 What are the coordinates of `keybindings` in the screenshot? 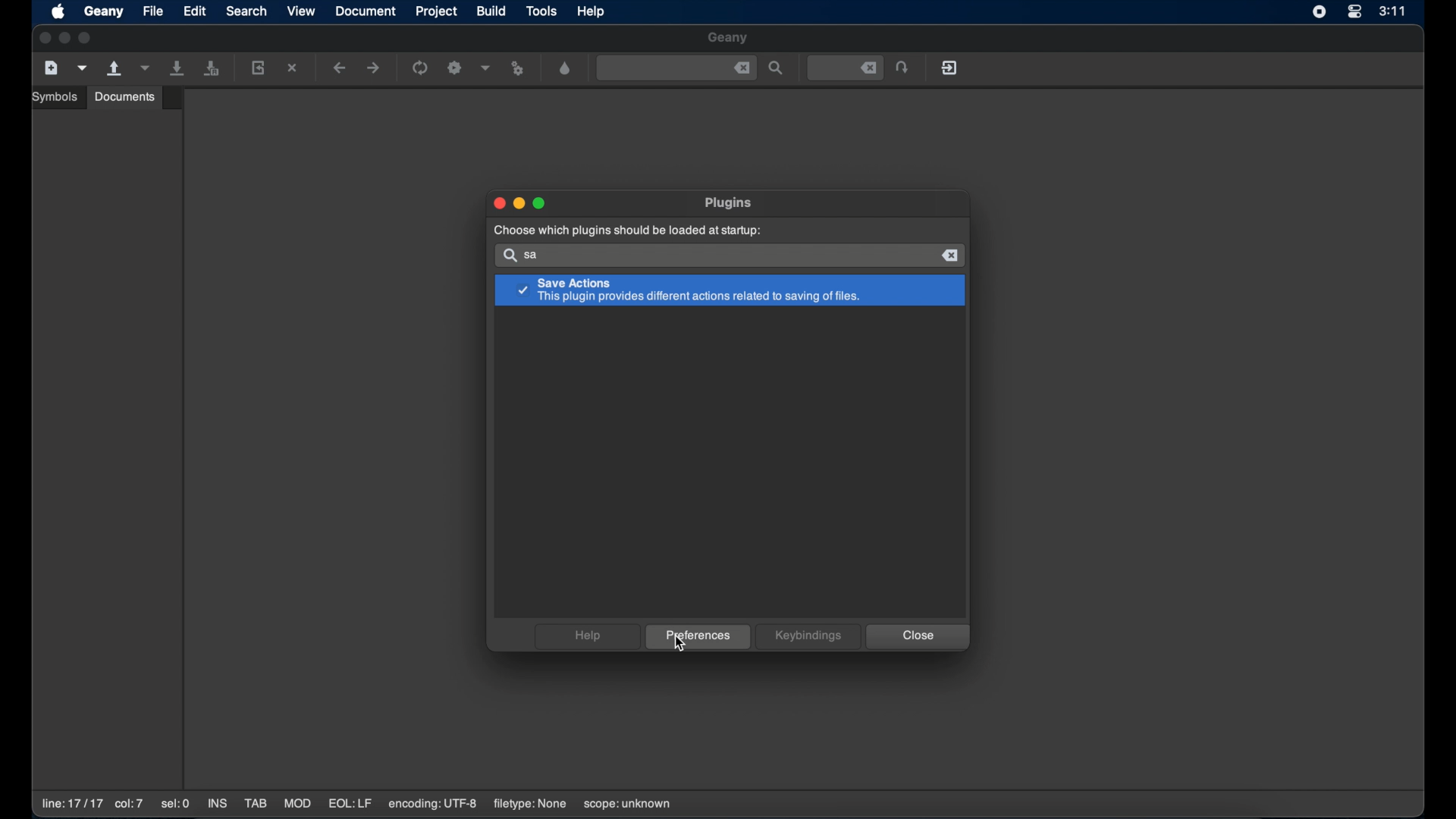 It's located at (808, 636).